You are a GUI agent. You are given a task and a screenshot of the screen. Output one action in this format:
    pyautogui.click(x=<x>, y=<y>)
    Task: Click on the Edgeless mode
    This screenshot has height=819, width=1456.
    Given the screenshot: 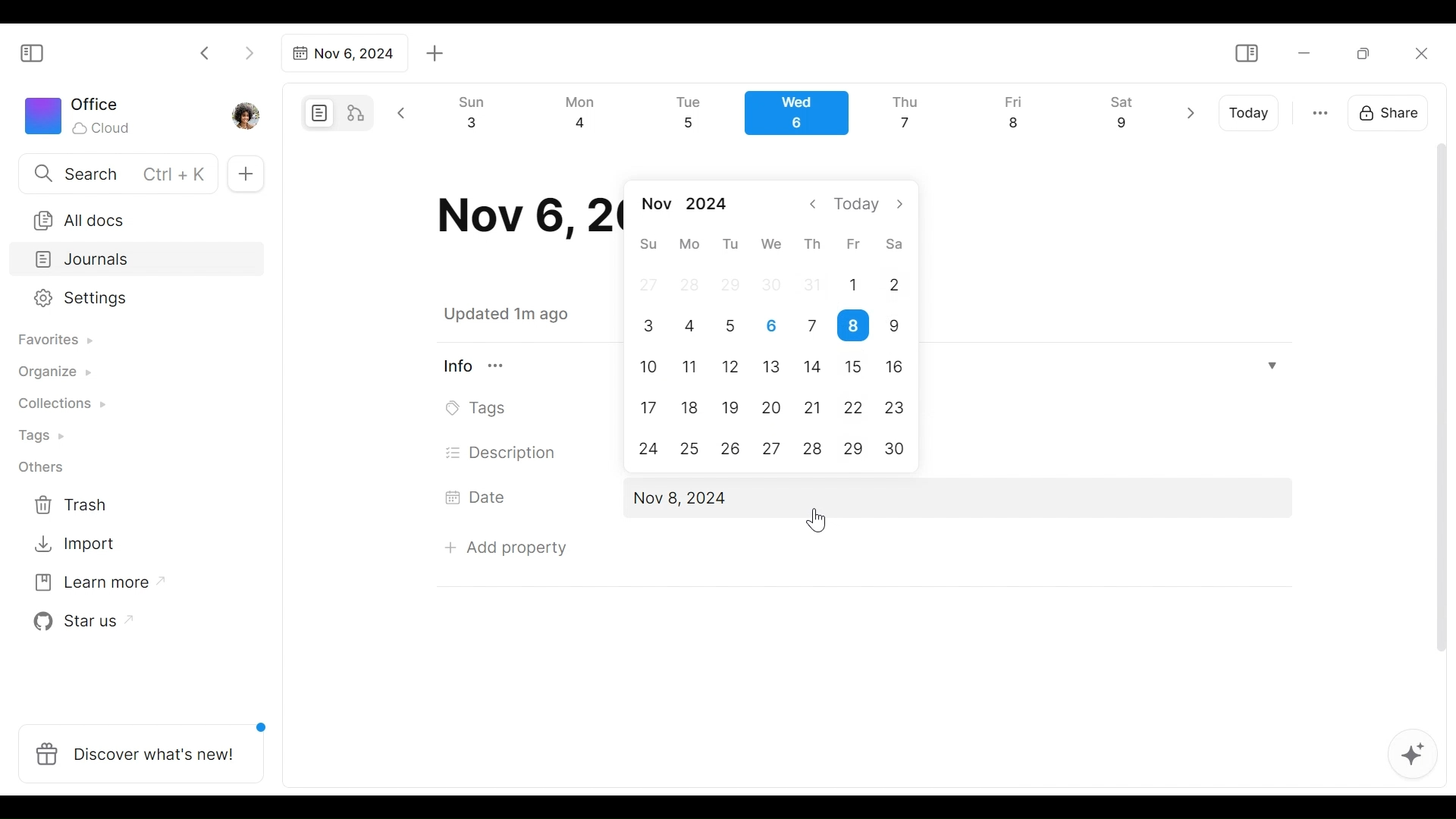 What is the action you would take?
    pyautogui.click(x=357, y=112)
    